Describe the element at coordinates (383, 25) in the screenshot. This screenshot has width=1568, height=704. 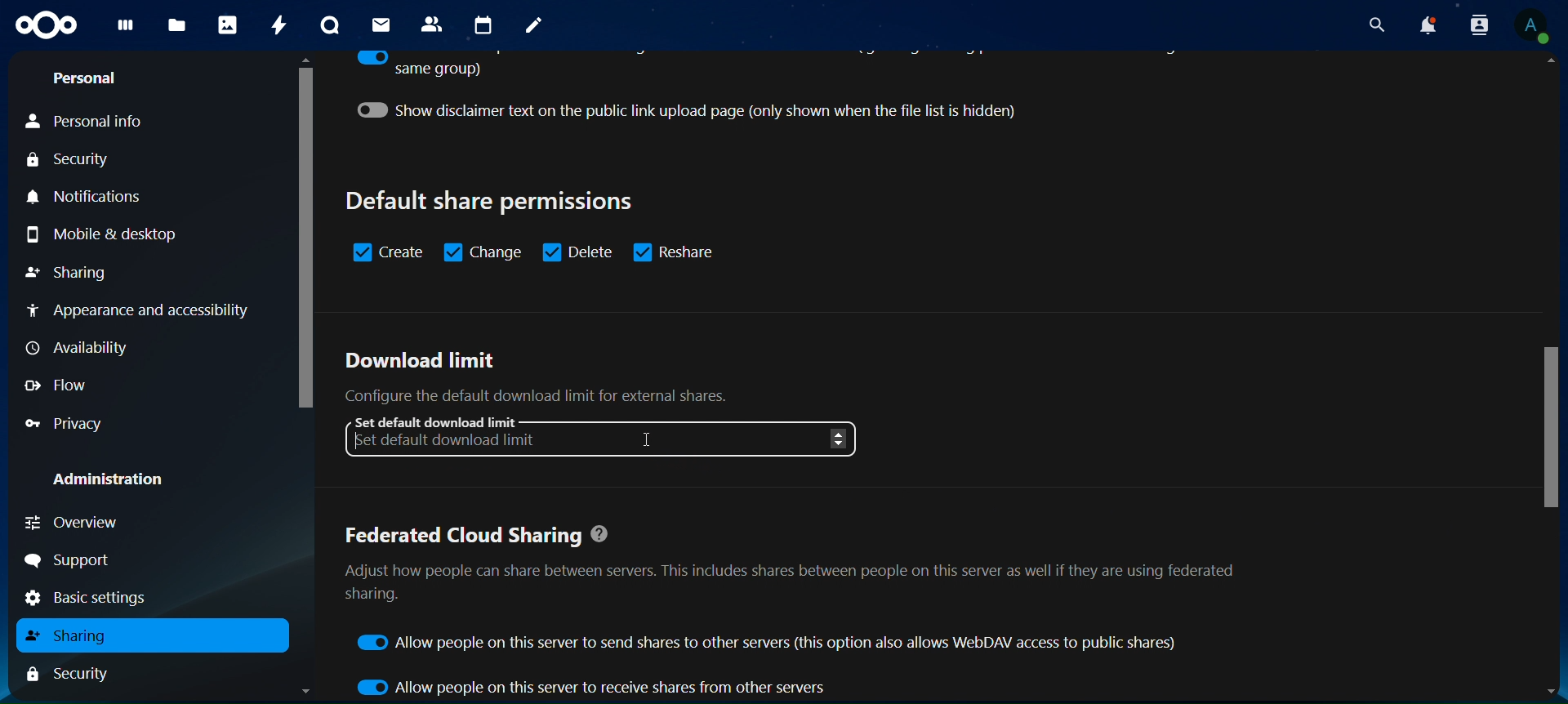
I see `mail` at that location.